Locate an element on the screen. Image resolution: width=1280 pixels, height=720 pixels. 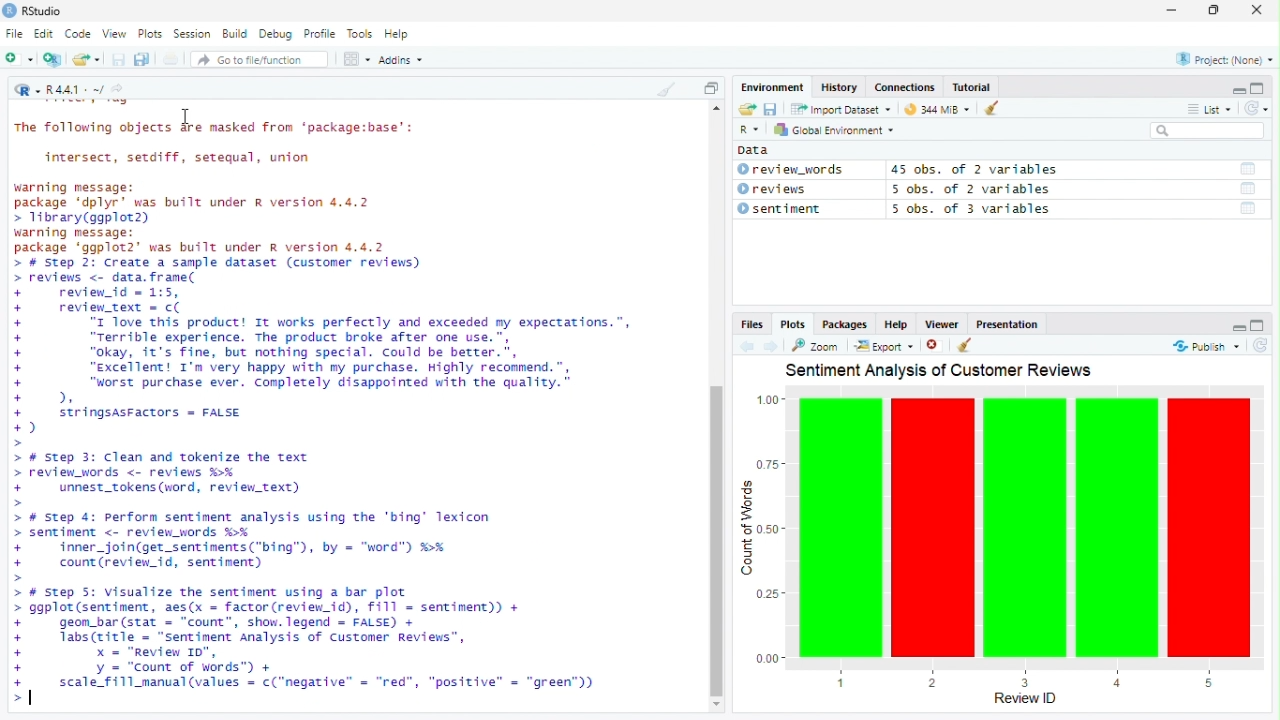
Add new file is located at coordinates (18, 57).